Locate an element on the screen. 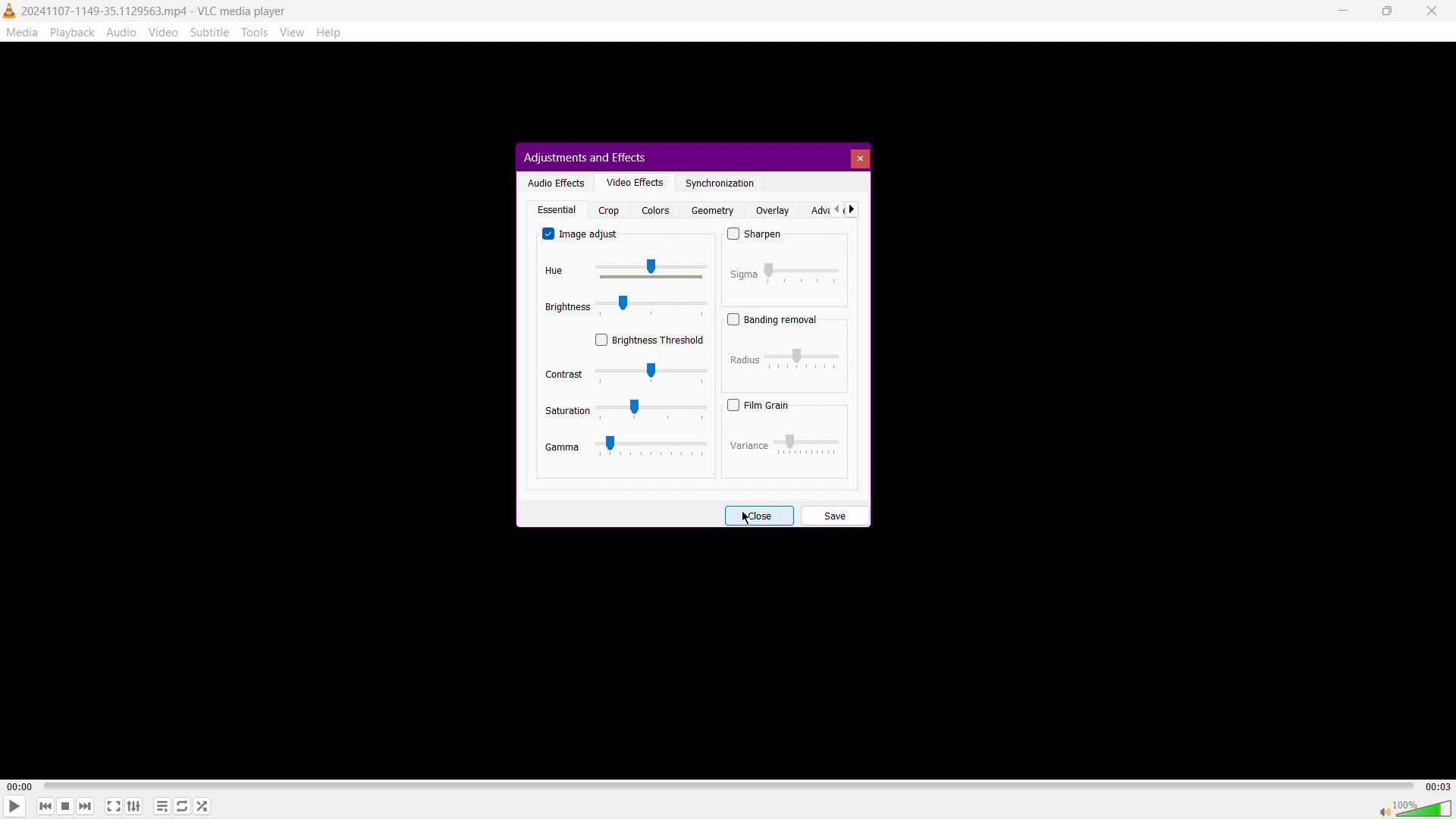 The height and width of the screenshot is (819, 1456). Close is located at coordinates (1434, 11).